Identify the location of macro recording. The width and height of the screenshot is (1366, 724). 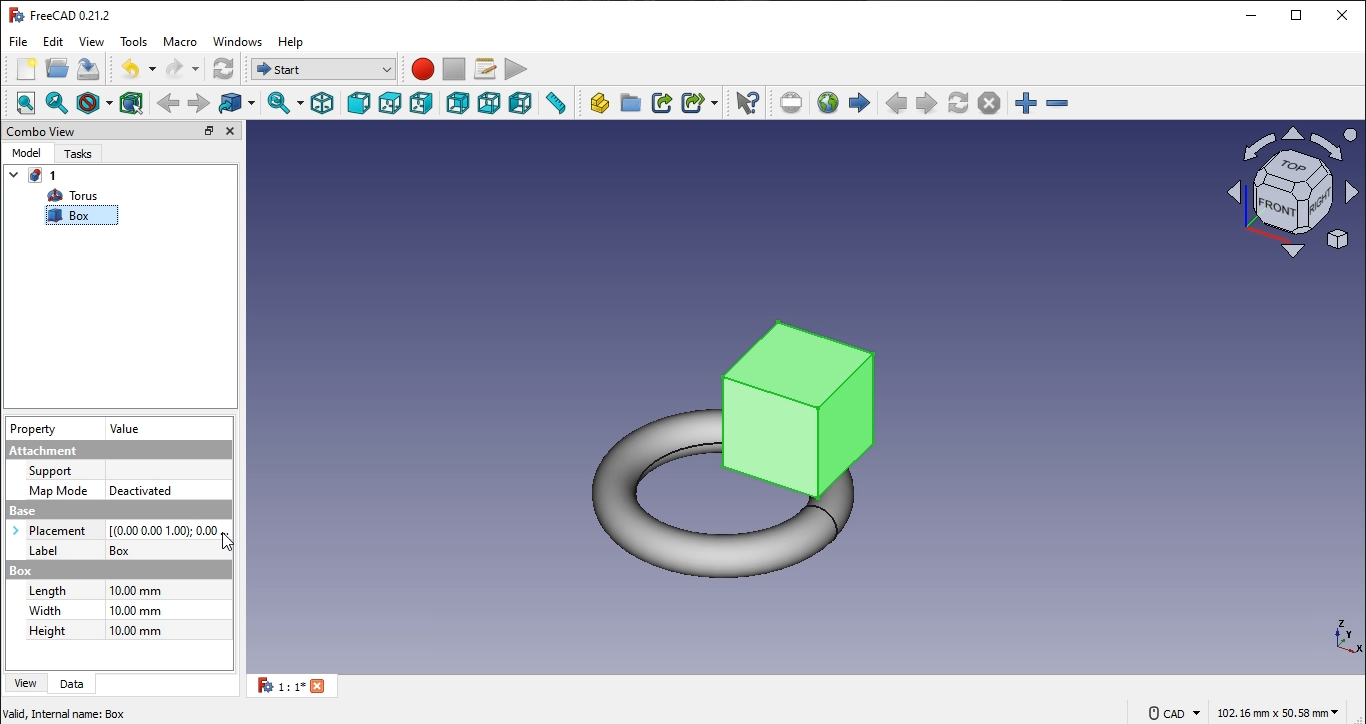
(423, 70).